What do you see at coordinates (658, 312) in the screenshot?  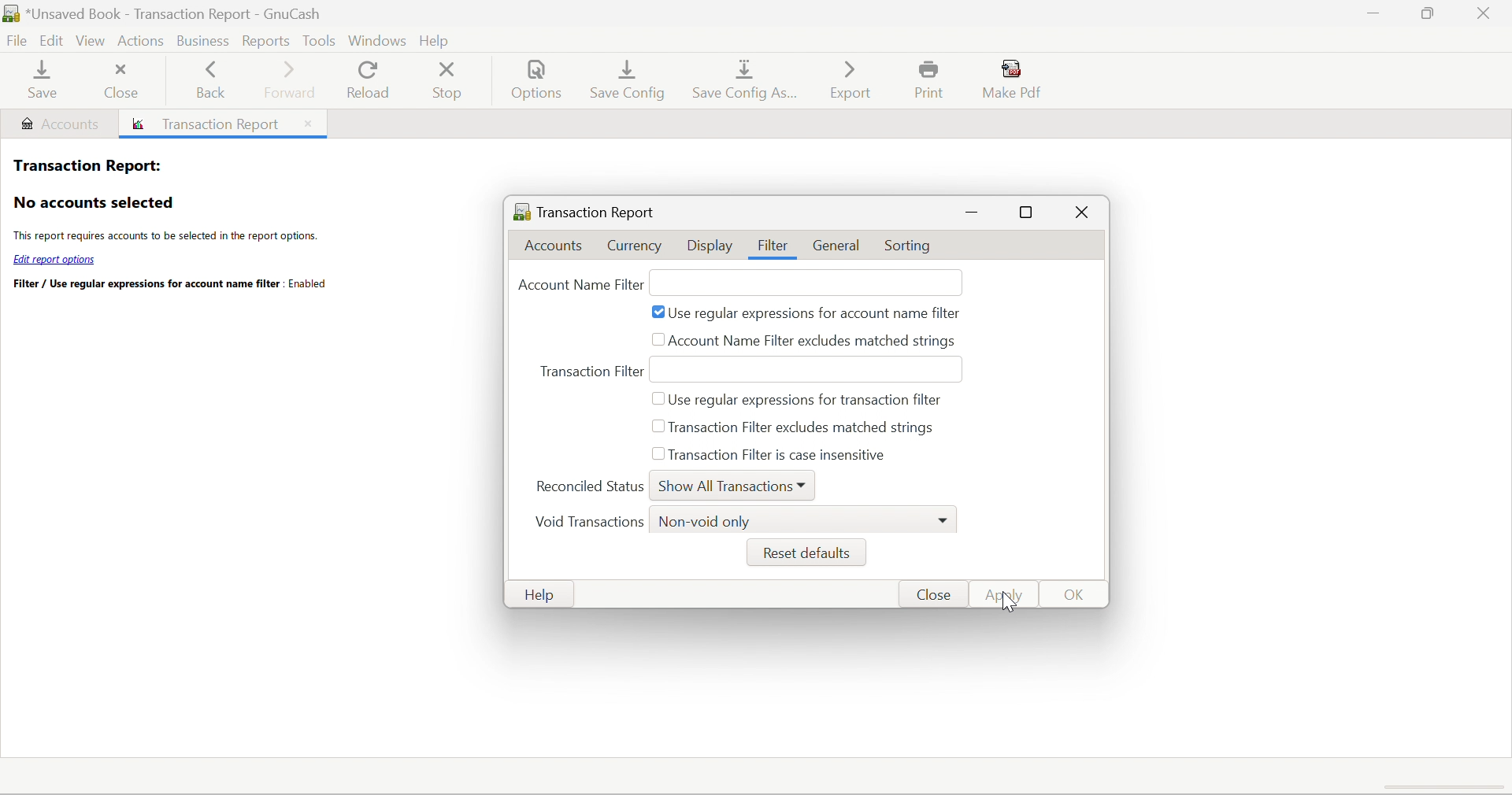 I see `Checkbox` at bounding box center [658, 312].